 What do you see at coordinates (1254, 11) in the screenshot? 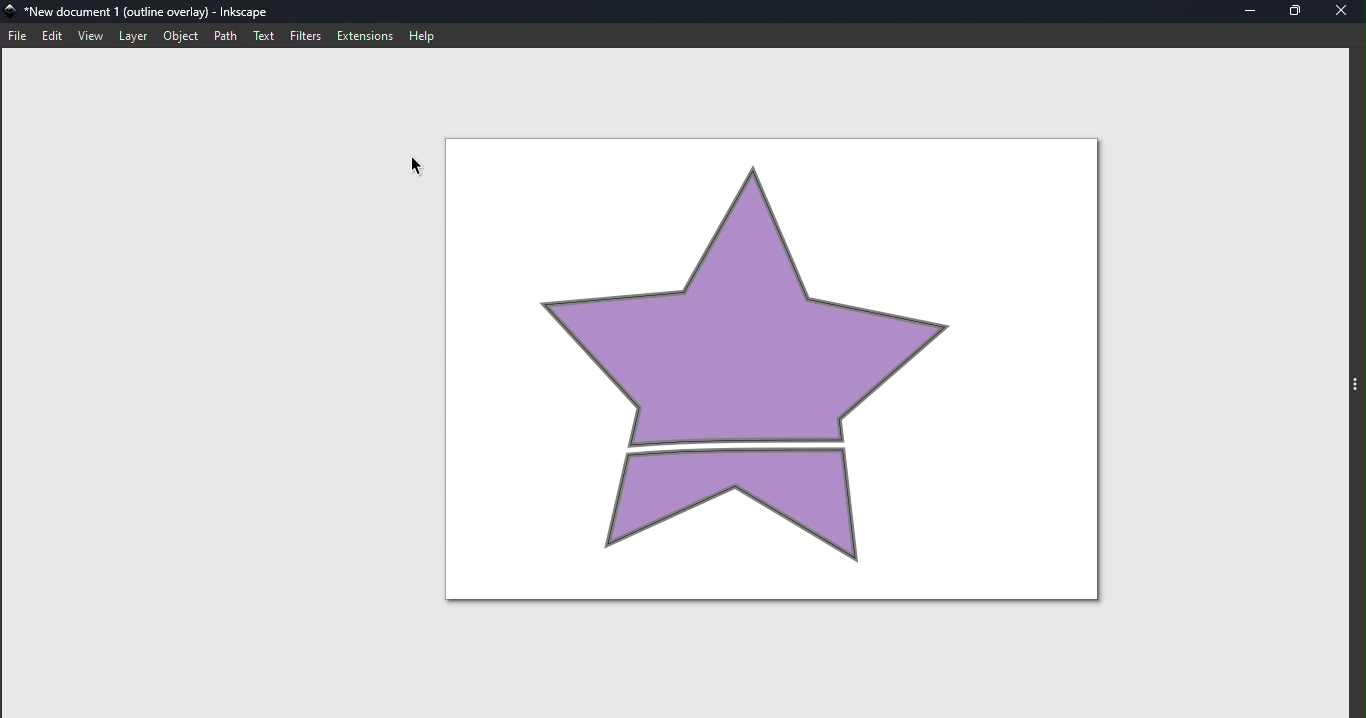
I see `Minimize` at bounding box center [1254, 11].